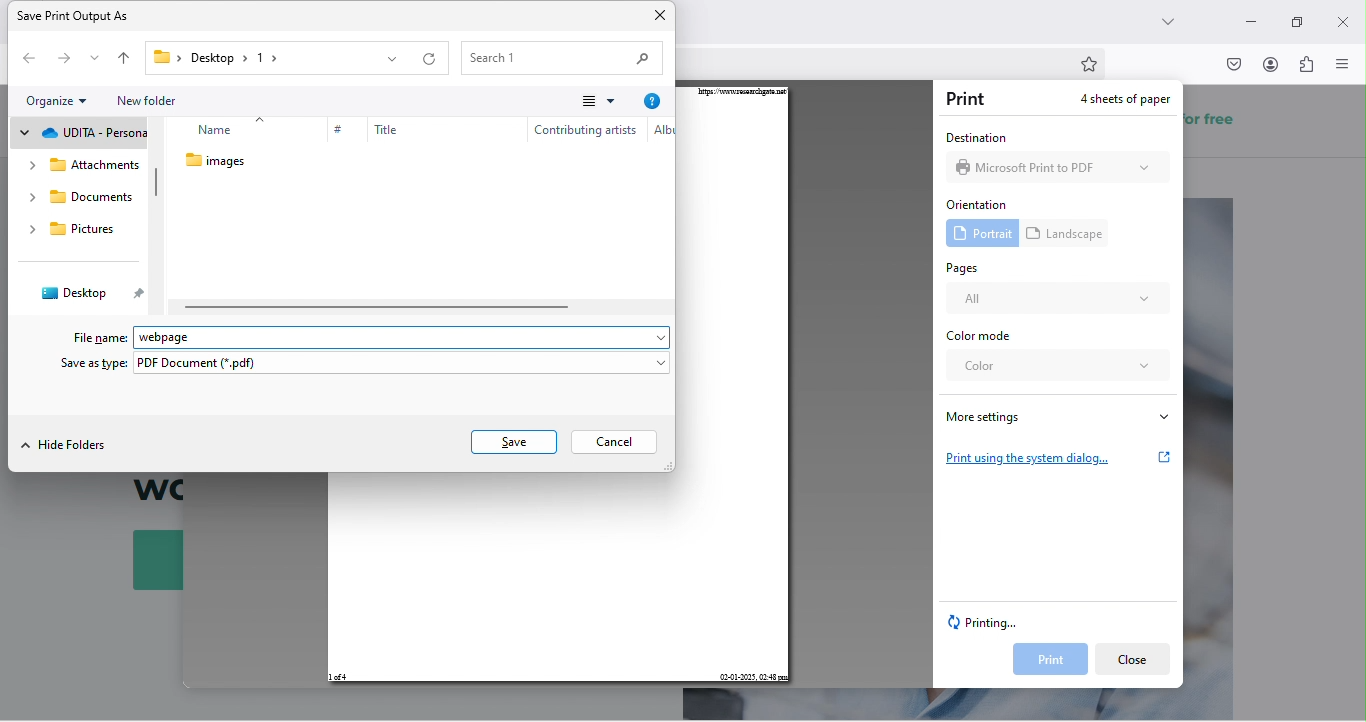 The image size is (1366, 722). I want to click on search tab, so click(1175, 26).